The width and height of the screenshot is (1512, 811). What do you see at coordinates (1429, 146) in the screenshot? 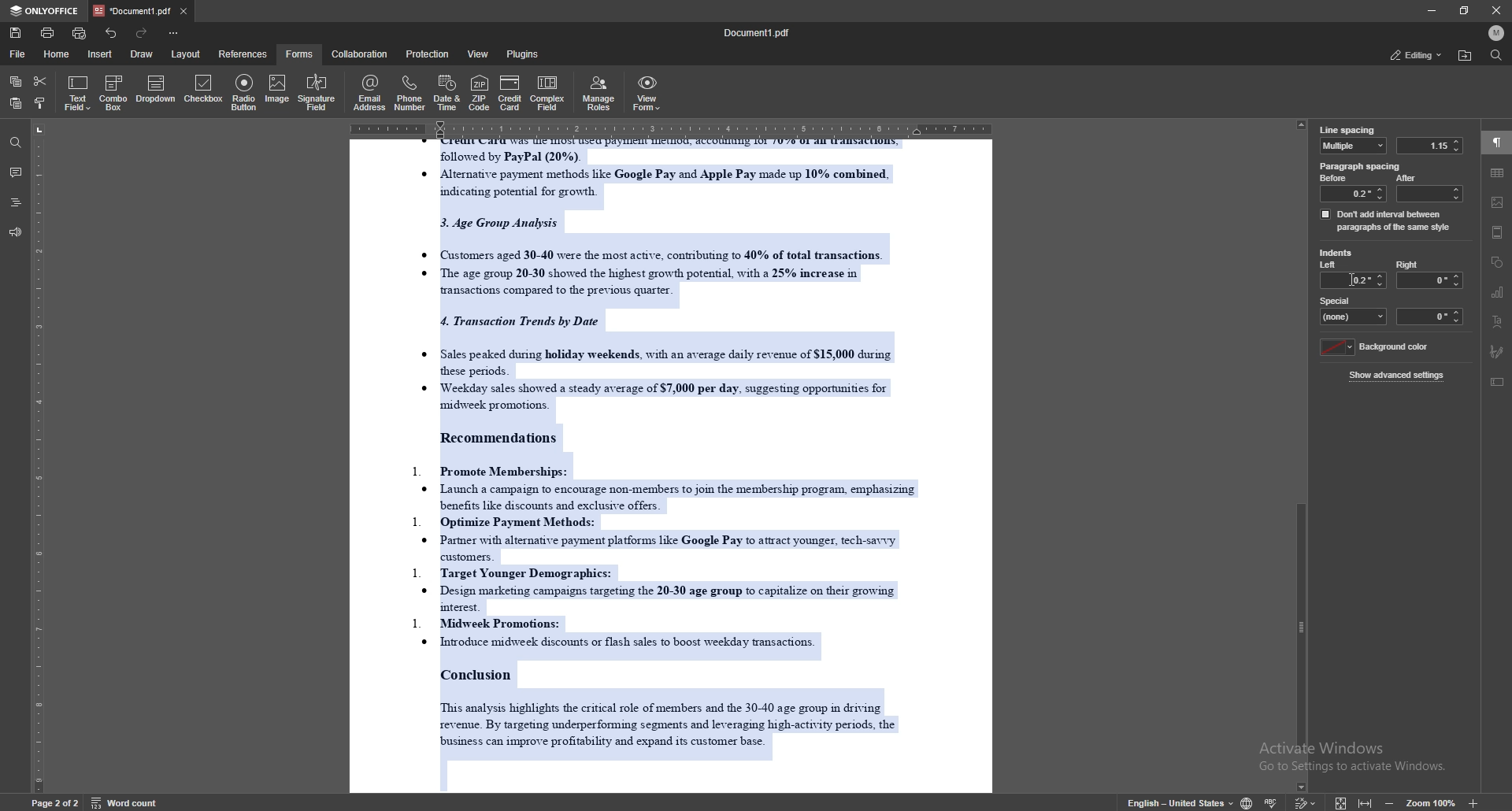
I see `line spacing value` at bounding box center [1429, 146].